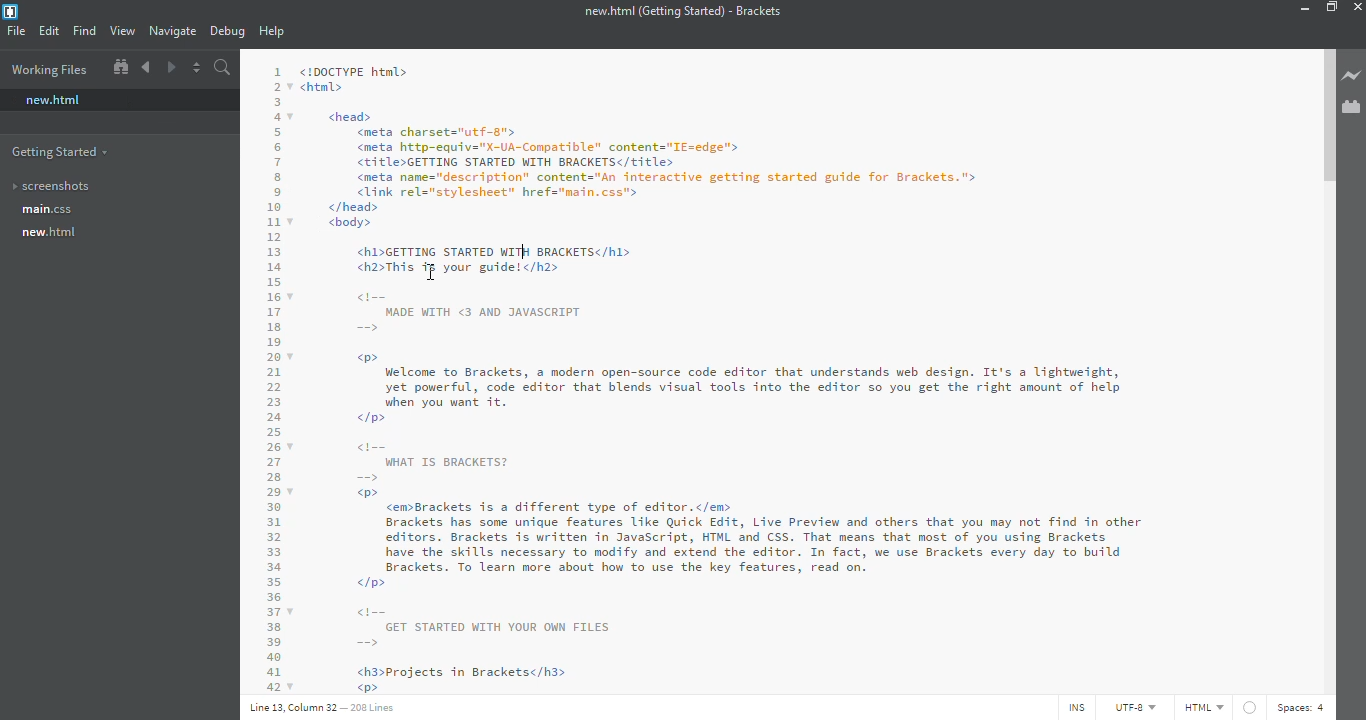 The image size is (1366, 720). What do you see at coordinates (123, 30) in the screenshot?
I see `view` at bounding box center [123, 30].